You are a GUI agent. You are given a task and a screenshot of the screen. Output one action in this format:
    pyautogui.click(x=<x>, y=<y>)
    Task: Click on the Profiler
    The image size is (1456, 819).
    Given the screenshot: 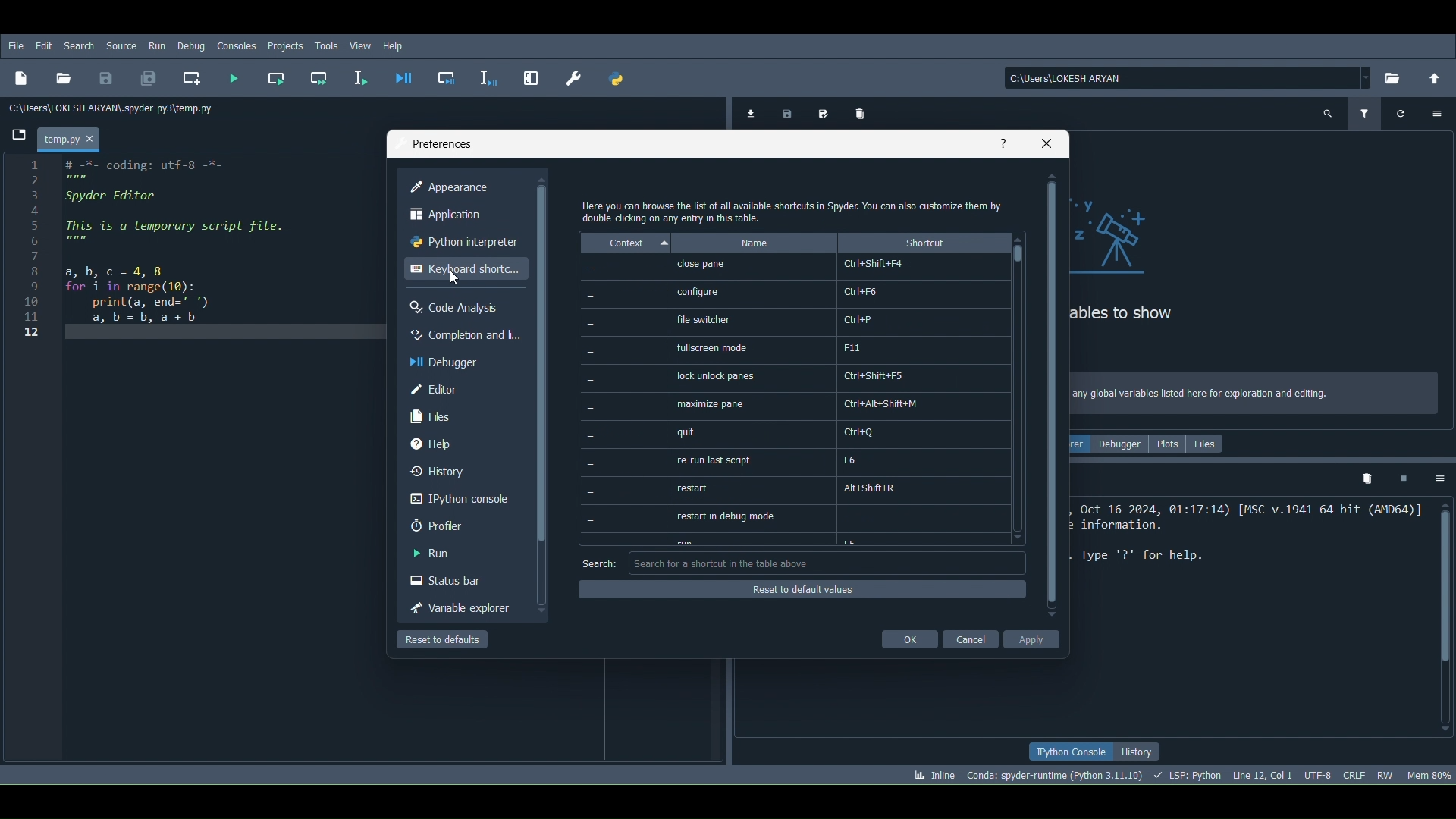 What is the action you would take?
    pyautogui.click(x=455, y=527)
    